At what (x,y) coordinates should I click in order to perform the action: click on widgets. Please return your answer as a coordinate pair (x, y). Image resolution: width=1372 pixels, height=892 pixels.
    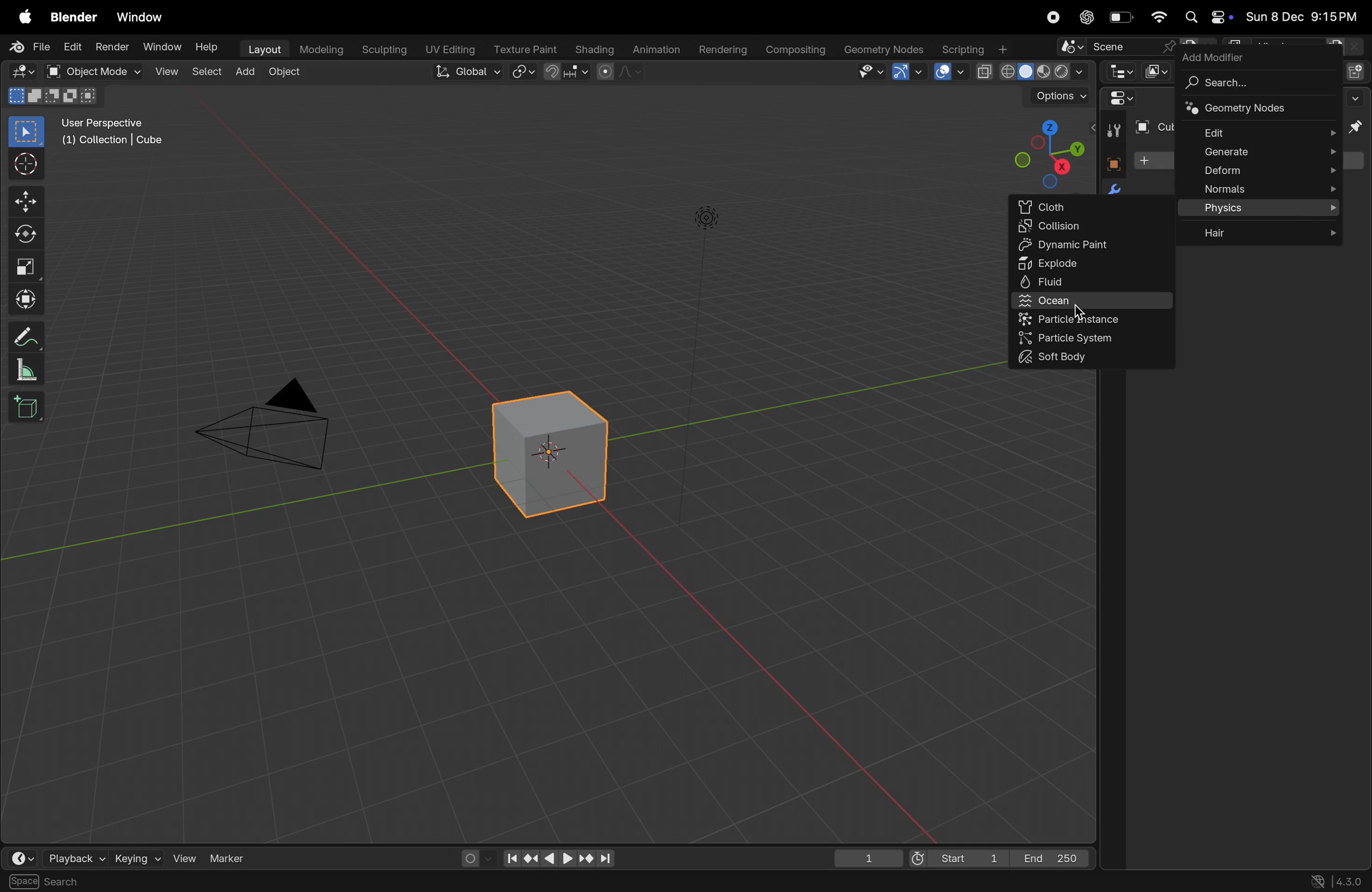
    Looking at the image, I should click on (1118, 99).